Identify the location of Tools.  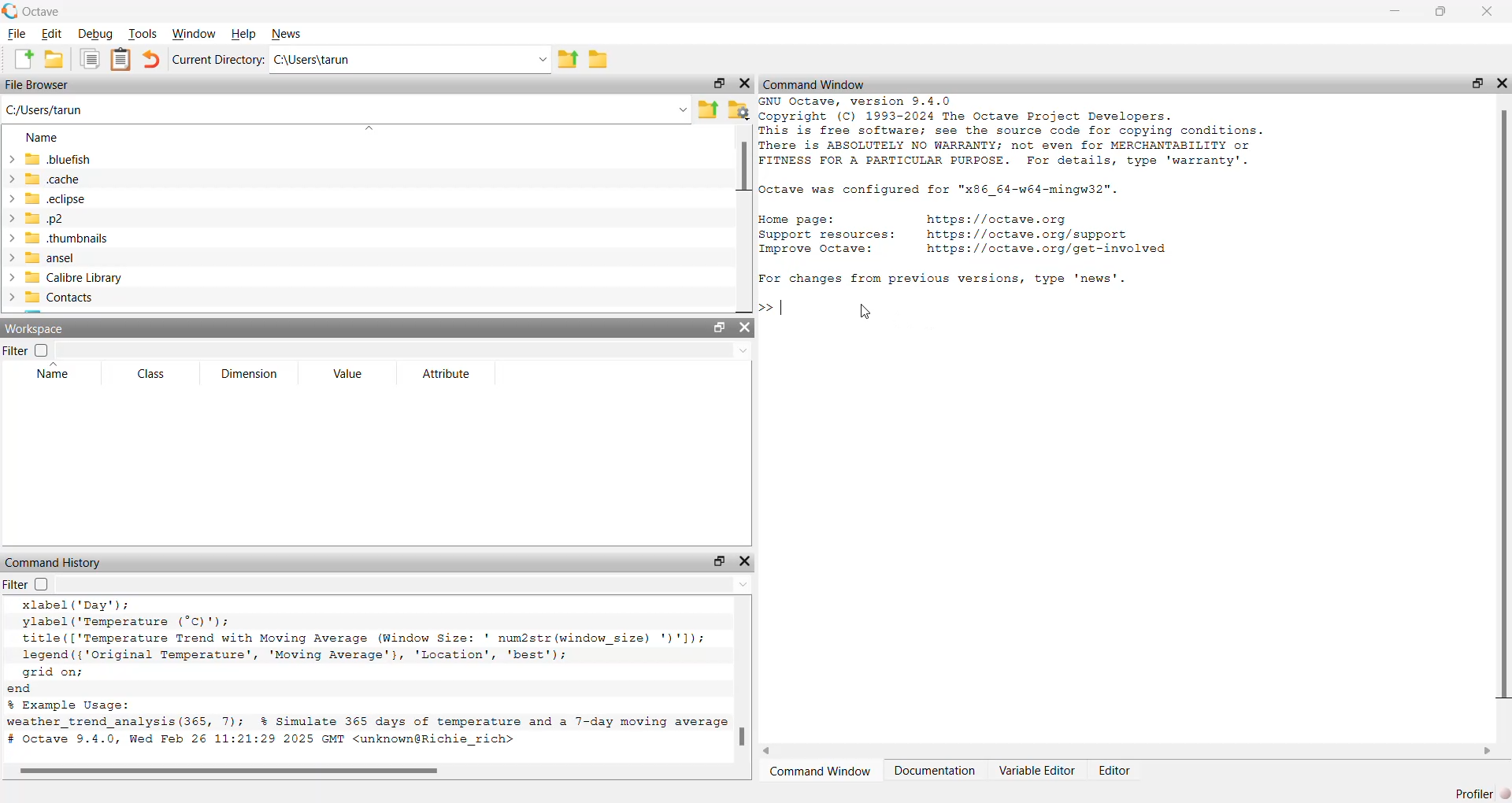
(141, 33).